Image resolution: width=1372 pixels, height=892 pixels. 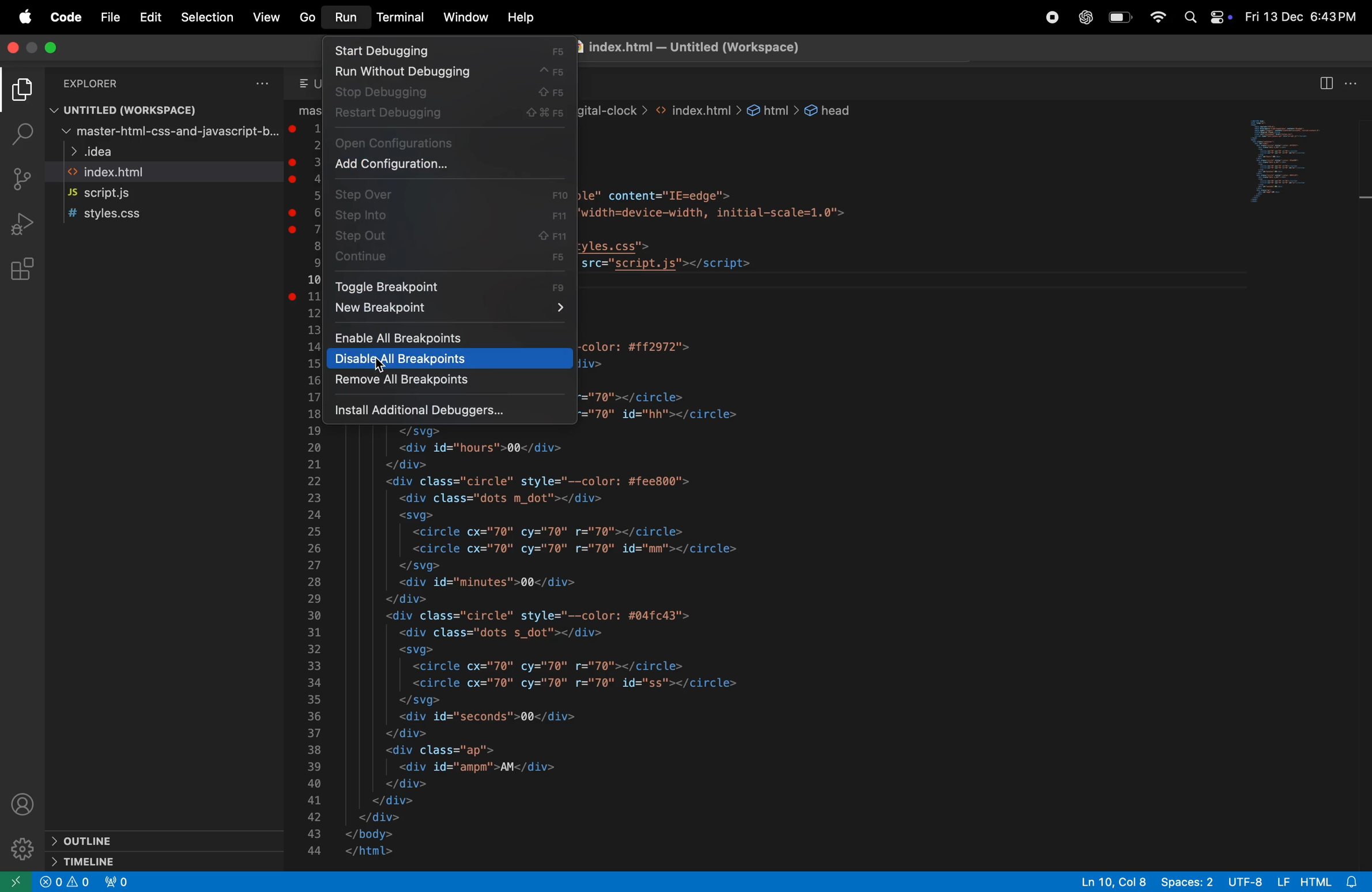 I want to click on add configurations, so click(x=450, y=167).